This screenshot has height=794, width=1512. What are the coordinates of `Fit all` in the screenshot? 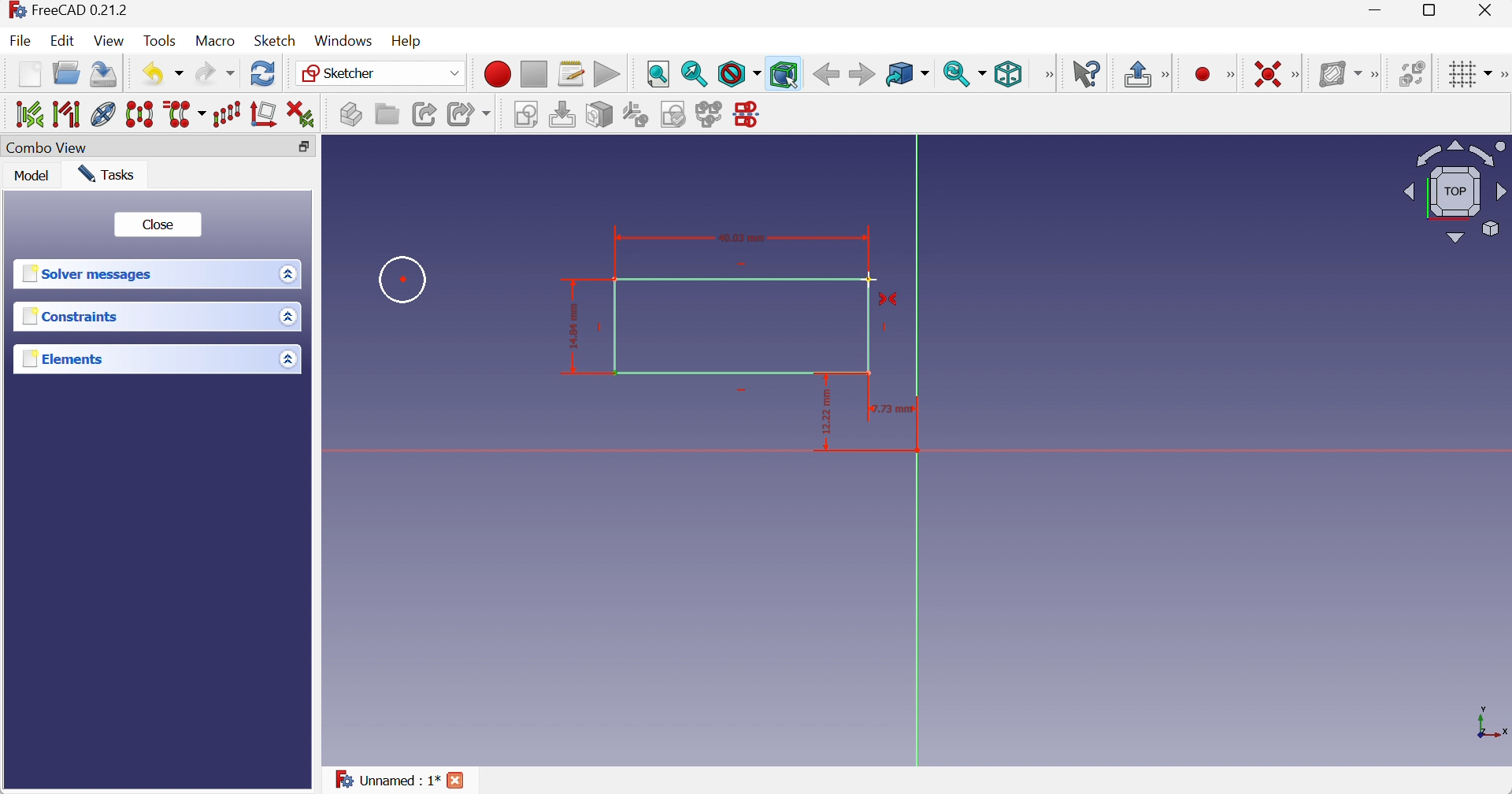 It's located at (659, 75).